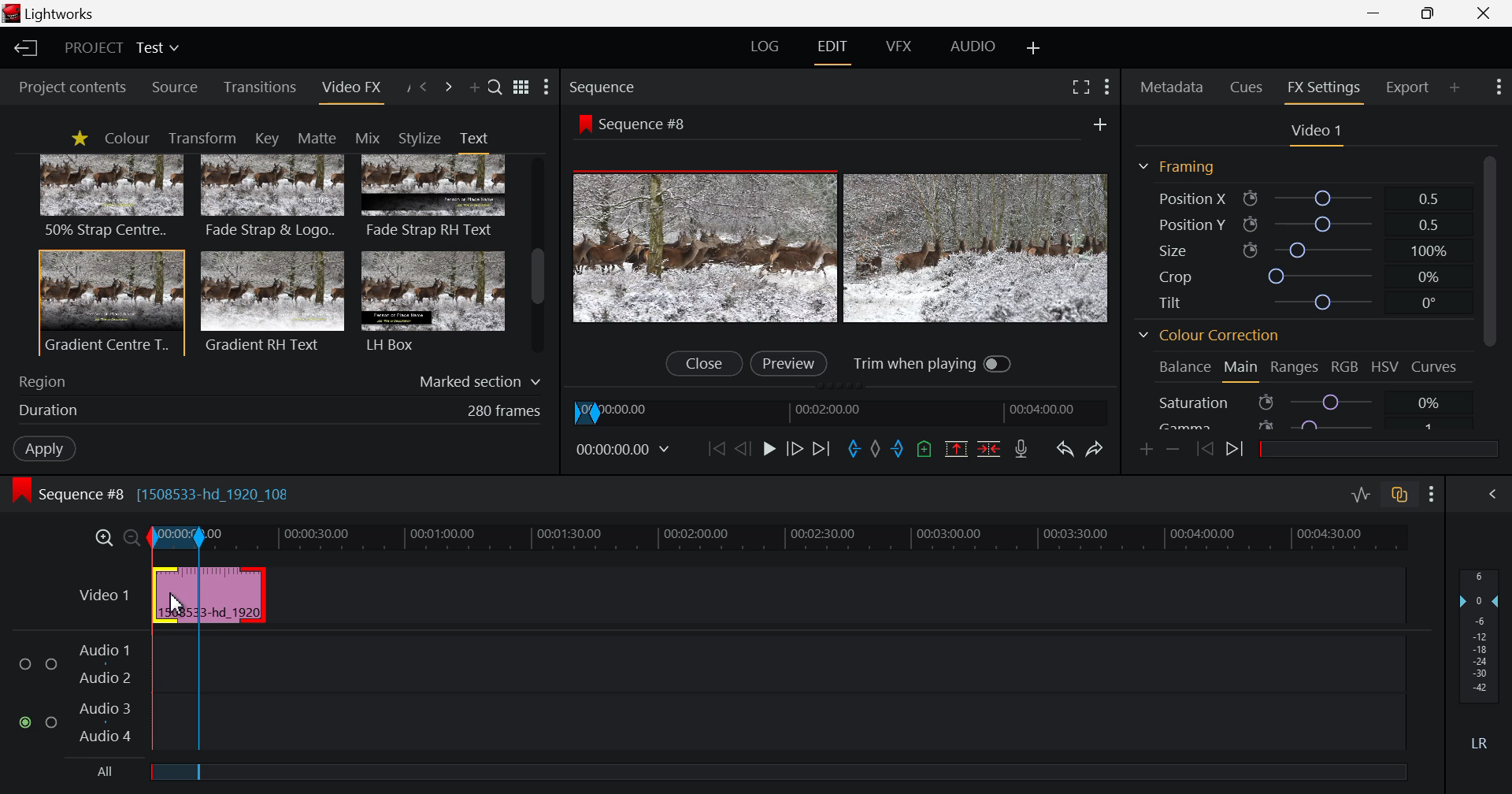  I want to click on VFX Layout, so click(902, 46).